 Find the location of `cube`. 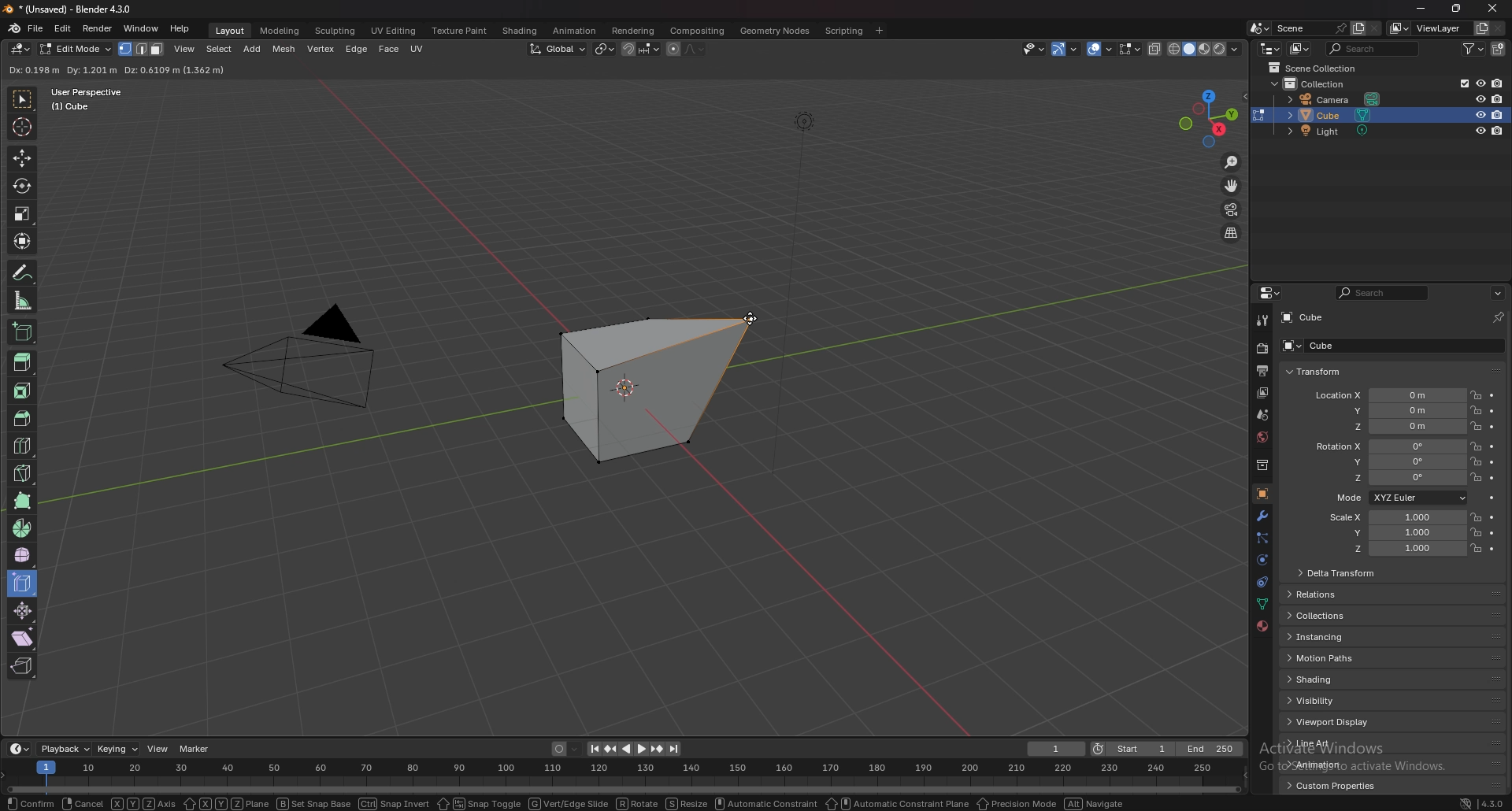

cube is located at coordinates (1303, 317).